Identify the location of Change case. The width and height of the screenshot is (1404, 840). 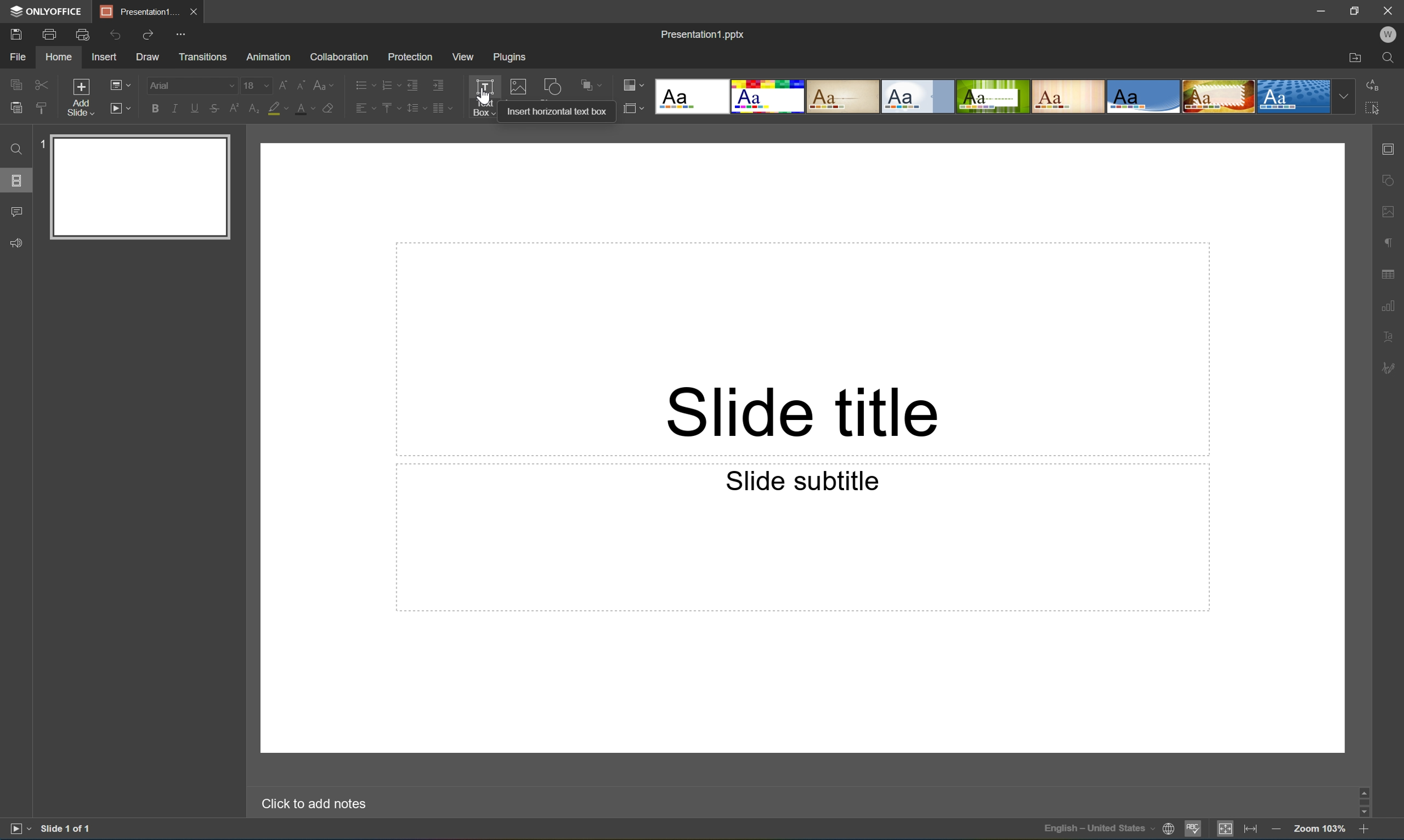
(324, 82).